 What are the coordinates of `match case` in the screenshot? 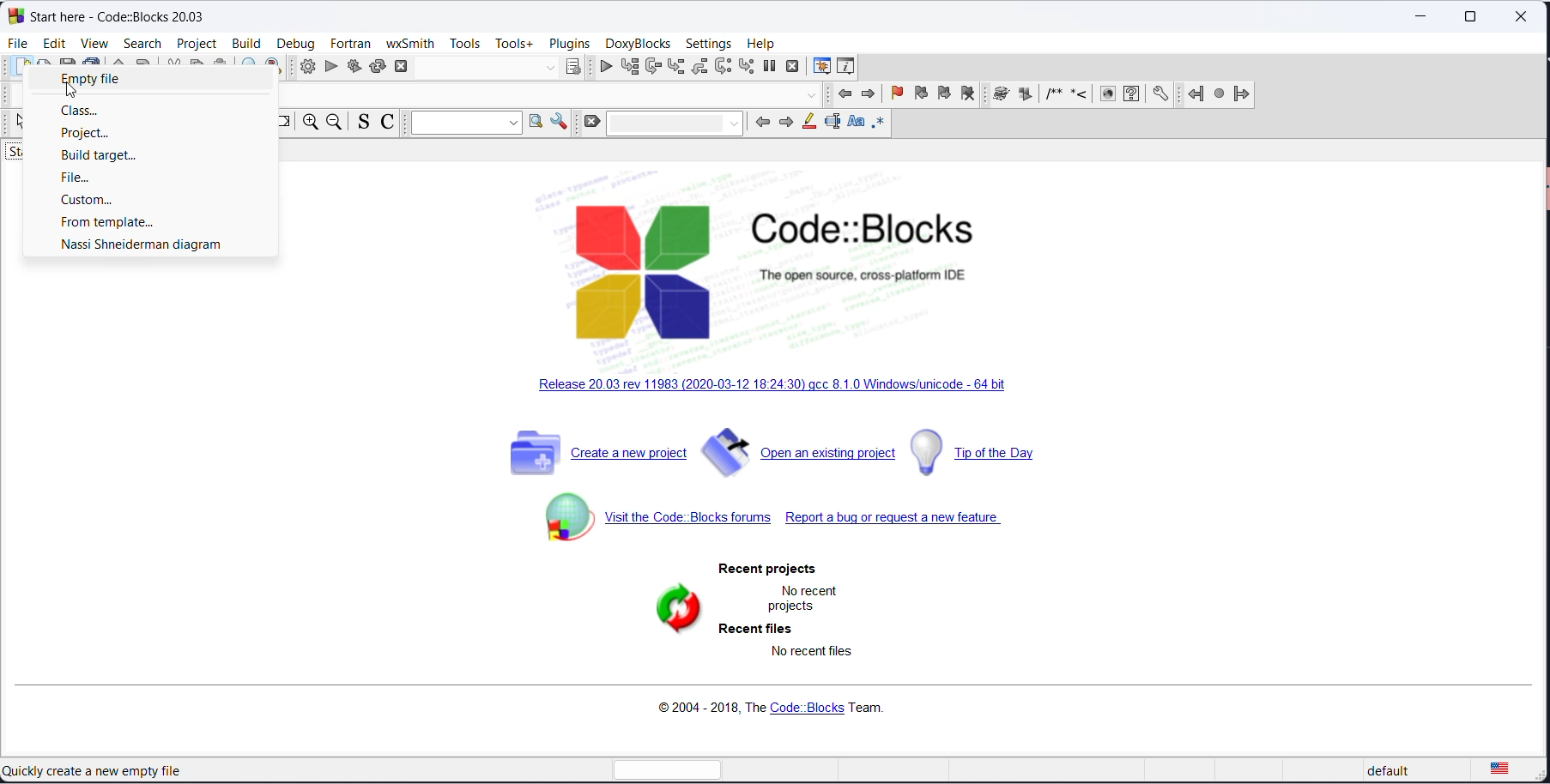 It's located at (857, 124).